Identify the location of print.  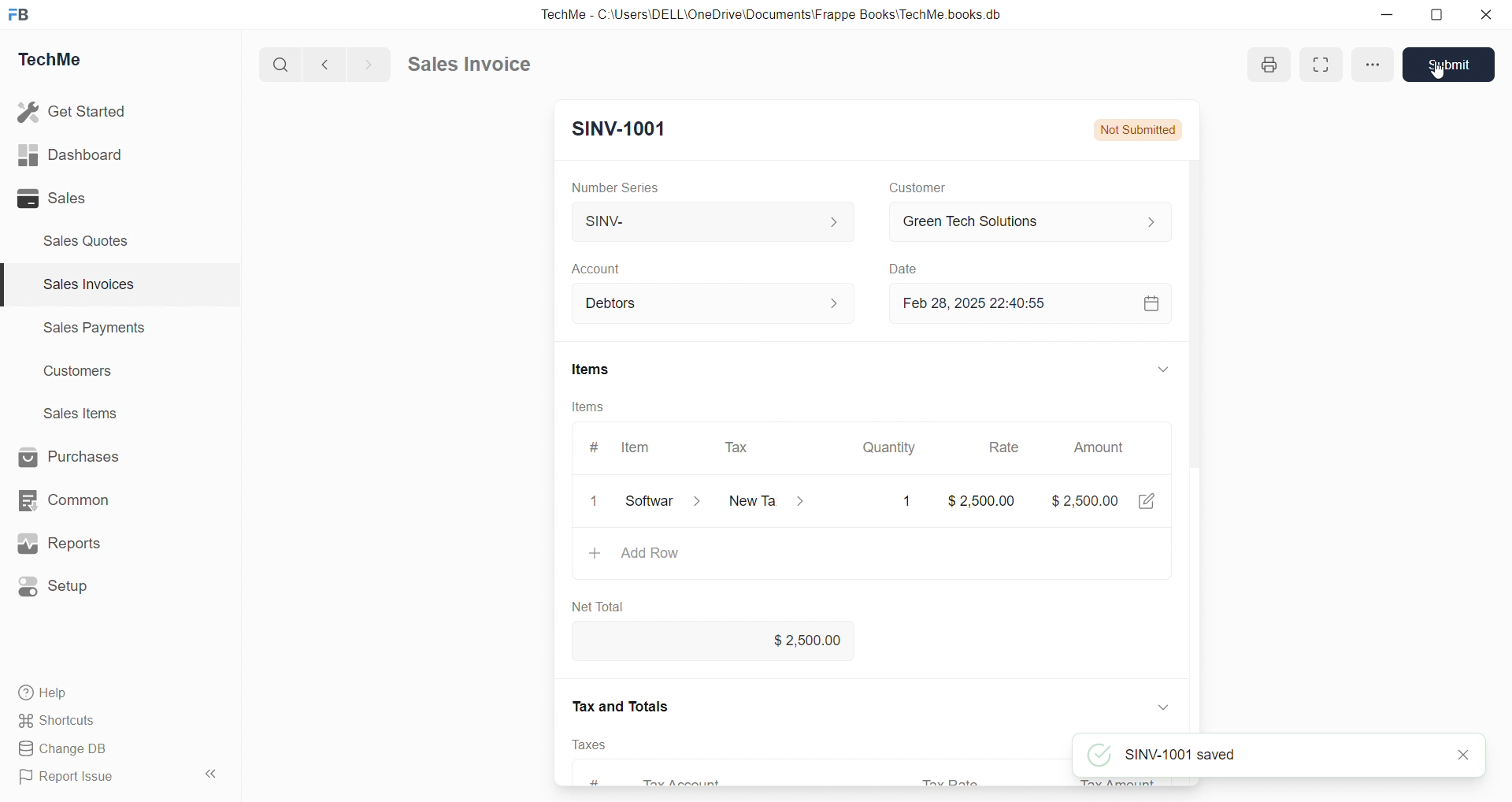
(1268, 65).